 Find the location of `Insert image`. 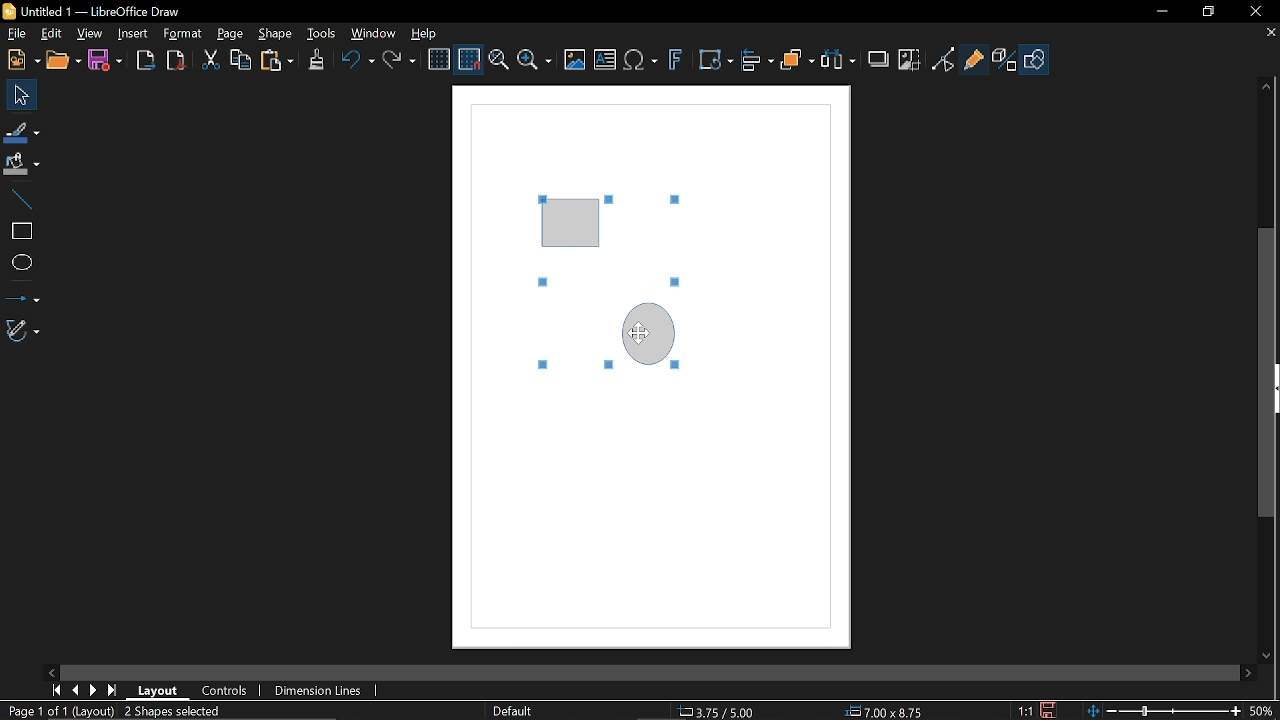

Insert image is located at coordinates (574, 60).